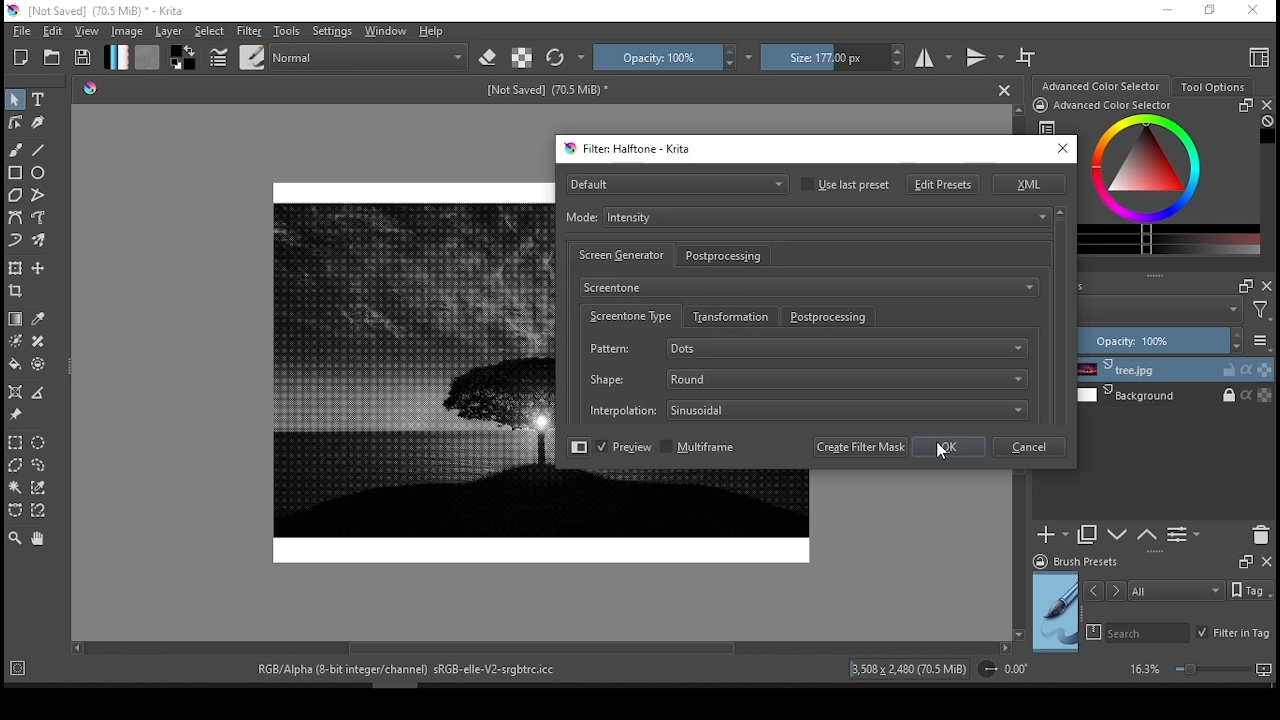 This screenshot has height=720, width=1280. What do you see at coordinates (944, 184) in the screenshot?
I see `edit preset` at bounding box center [944, 184].